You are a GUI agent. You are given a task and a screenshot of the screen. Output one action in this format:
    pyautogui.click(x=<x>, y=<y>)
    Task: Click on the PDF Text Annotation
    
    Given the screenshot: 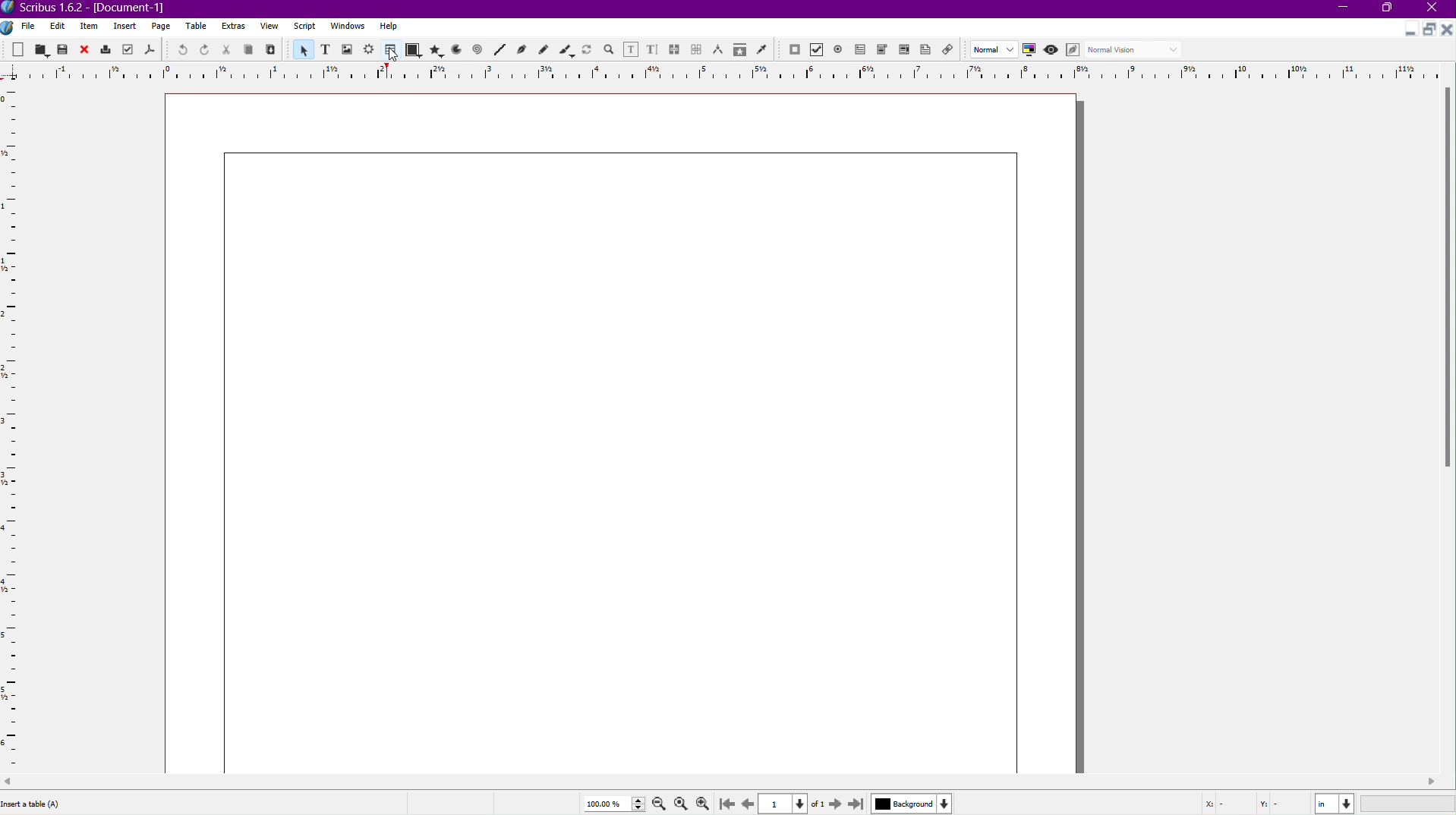 What is the action you would take?
    pyautogui.click(x=928, y=52)
    